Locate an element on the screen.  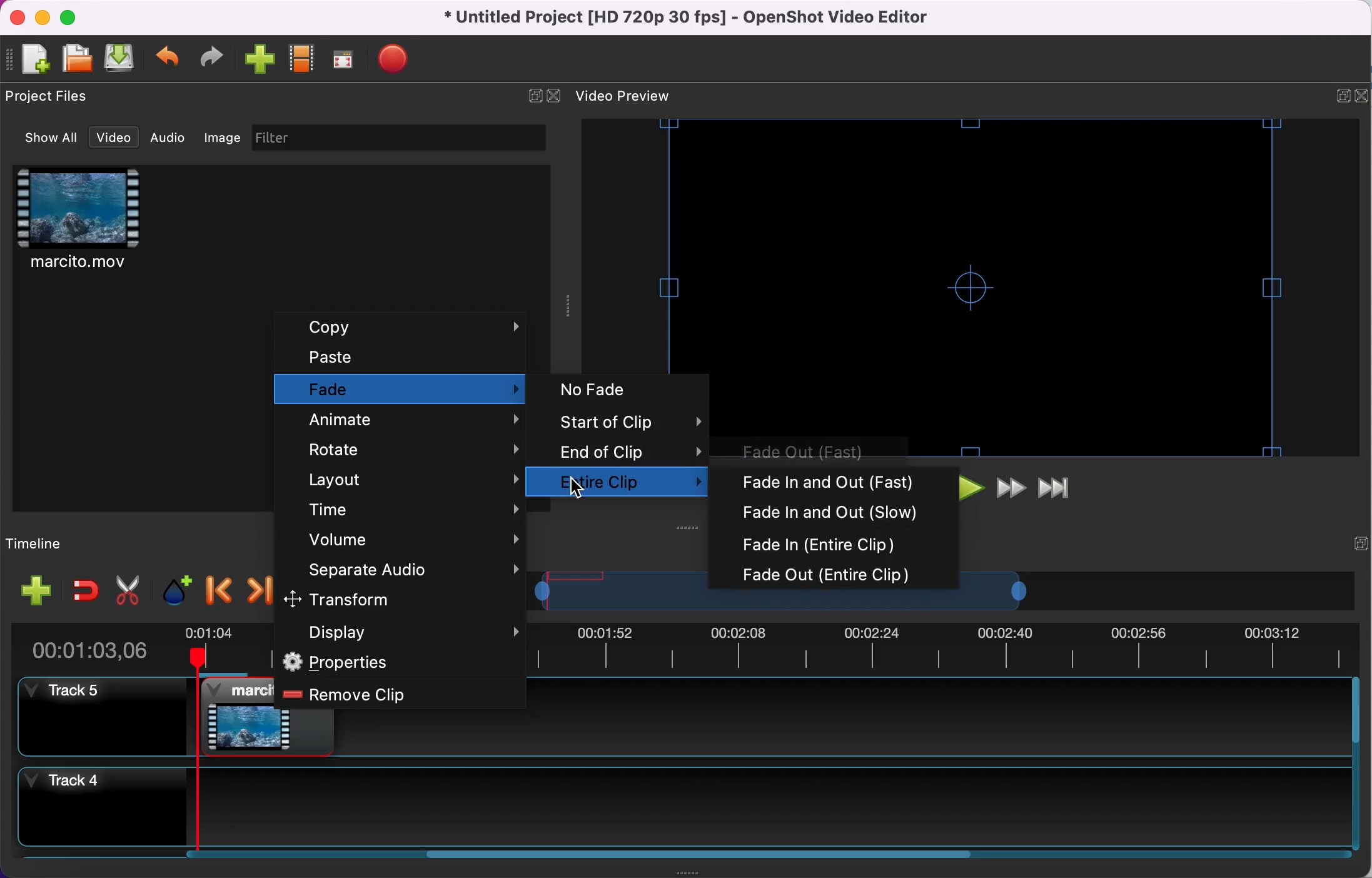
jump to end is located at coordinates (1060, 489).